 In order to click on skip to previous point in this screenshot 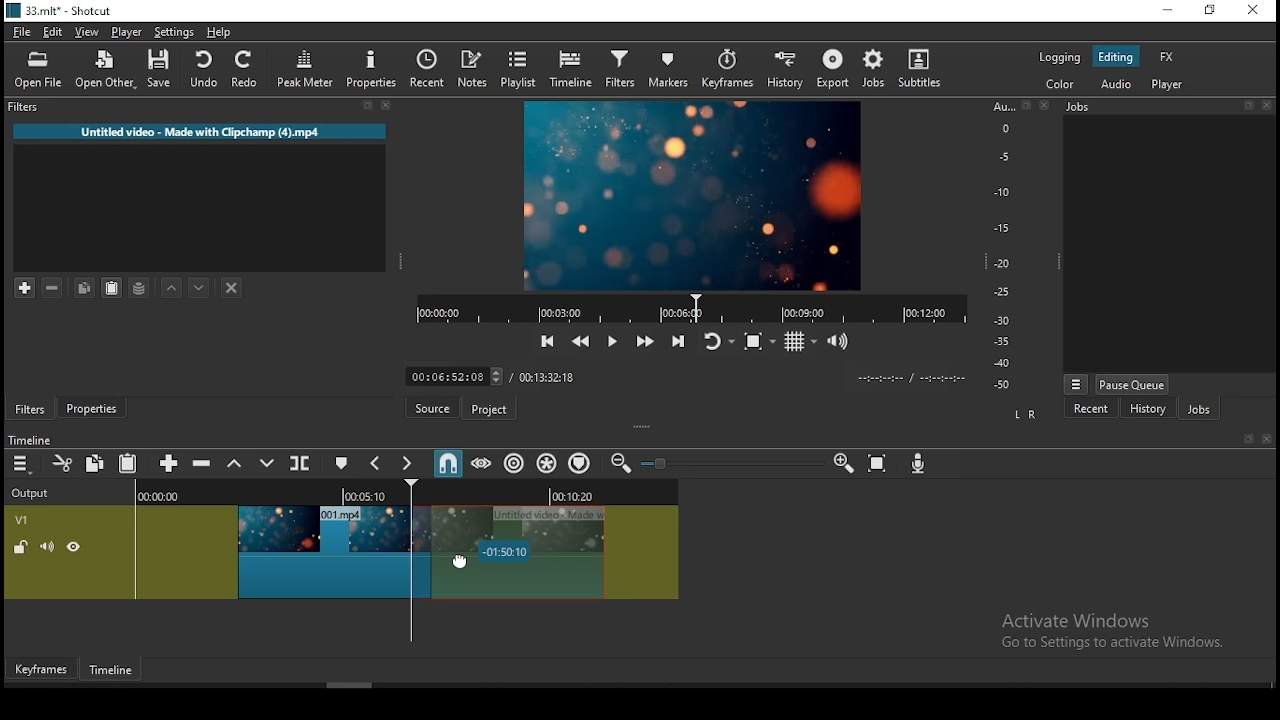, I will do `click(548, 342)`.